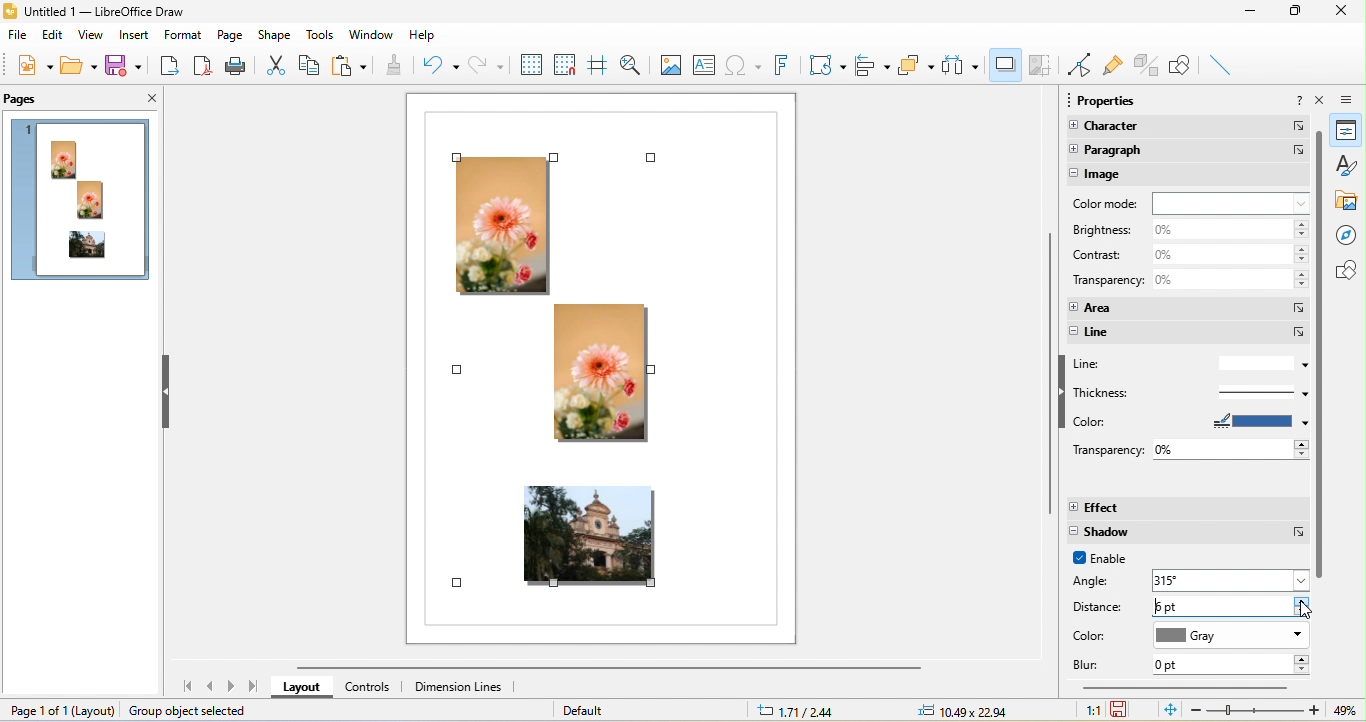 This screenshot has height=722, width=1366. Describe the element at coordinates (1190, 203) in the screenshot. I see `color mode` at that location.